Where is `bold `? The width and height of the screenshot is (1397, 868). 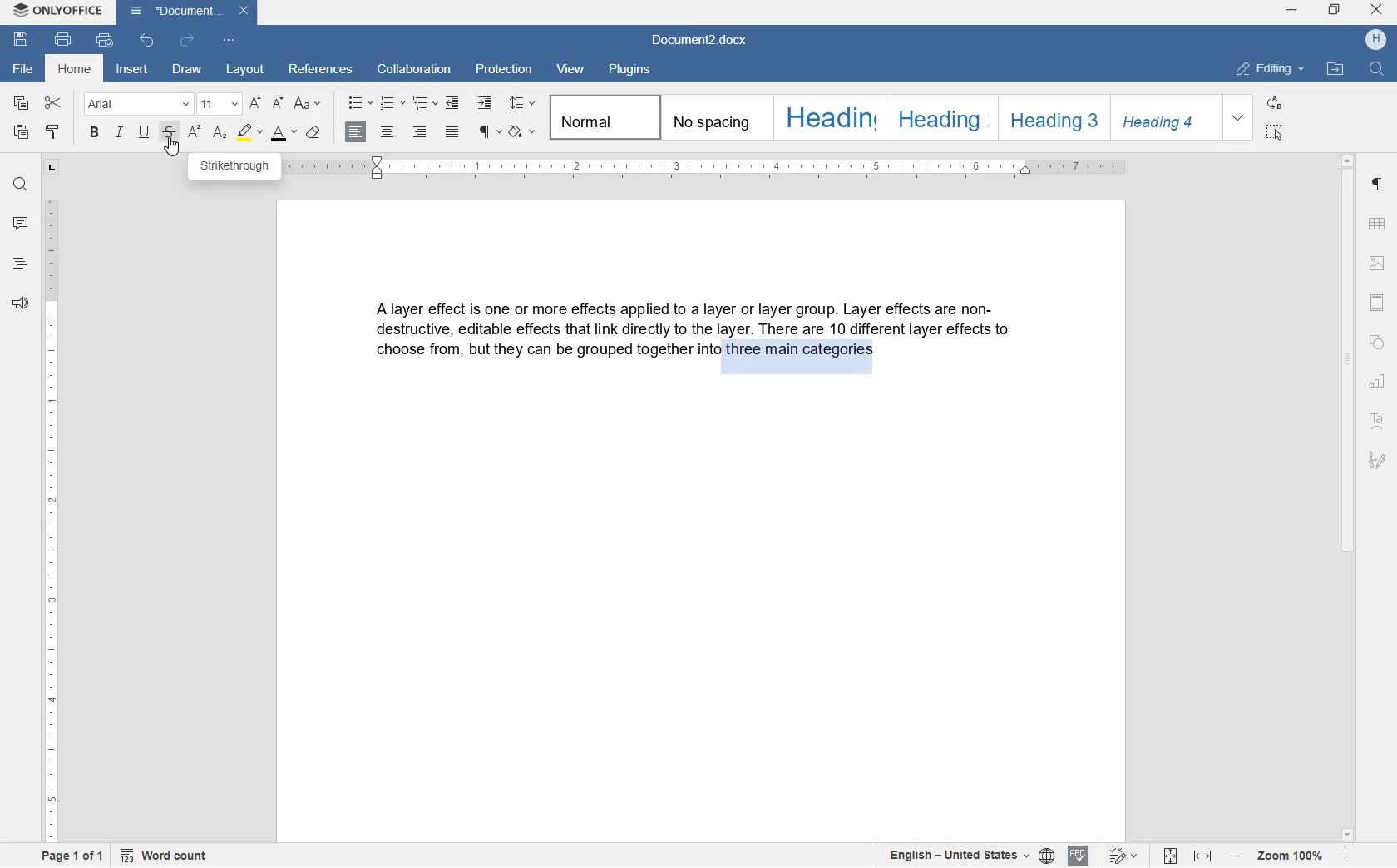
bold  is located at coordinates (95, 132).